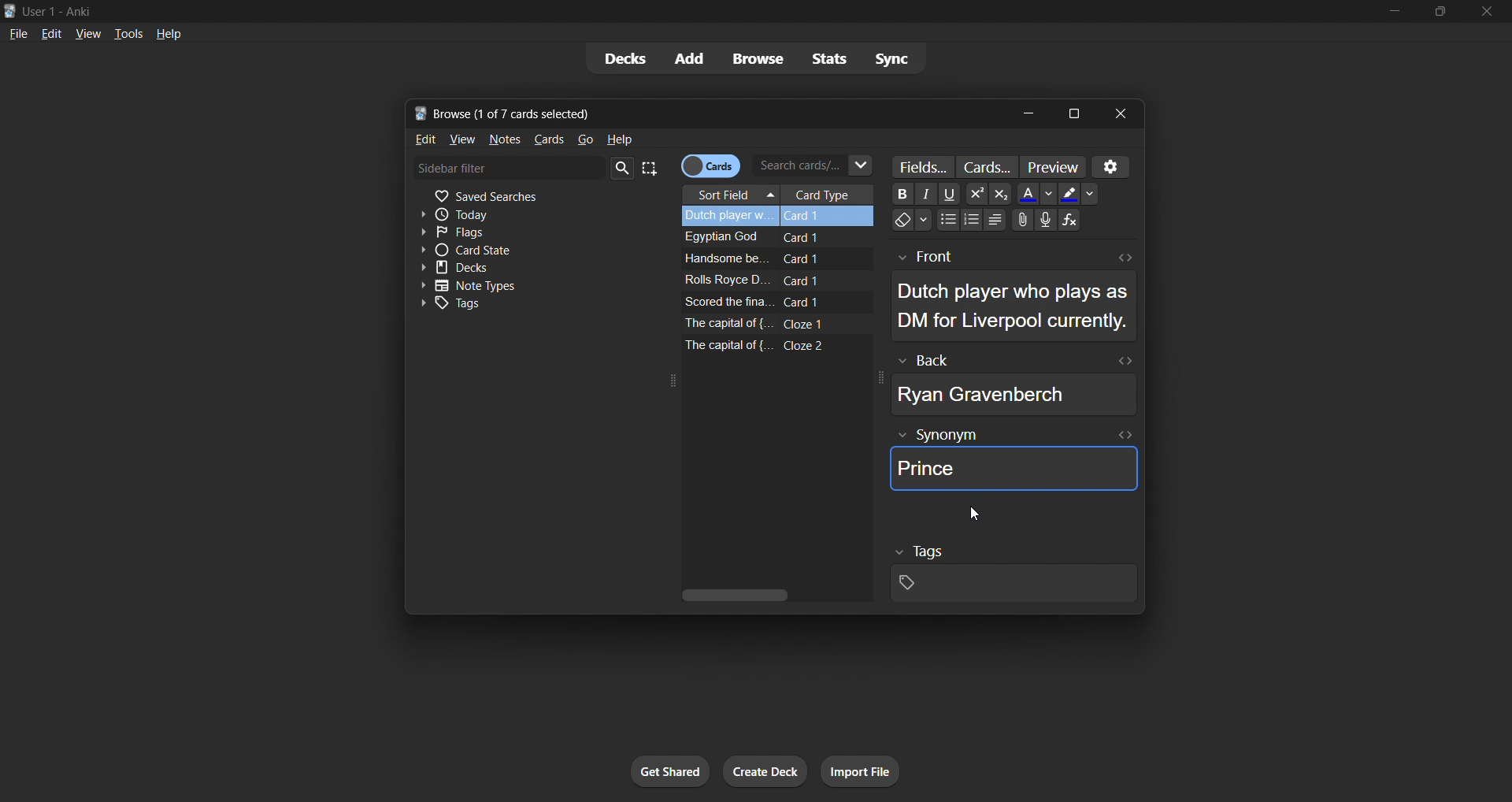  What do you see at coordinates (776, 217) in the screenshot?
I see `selected card` at bounding box center [776, 217].